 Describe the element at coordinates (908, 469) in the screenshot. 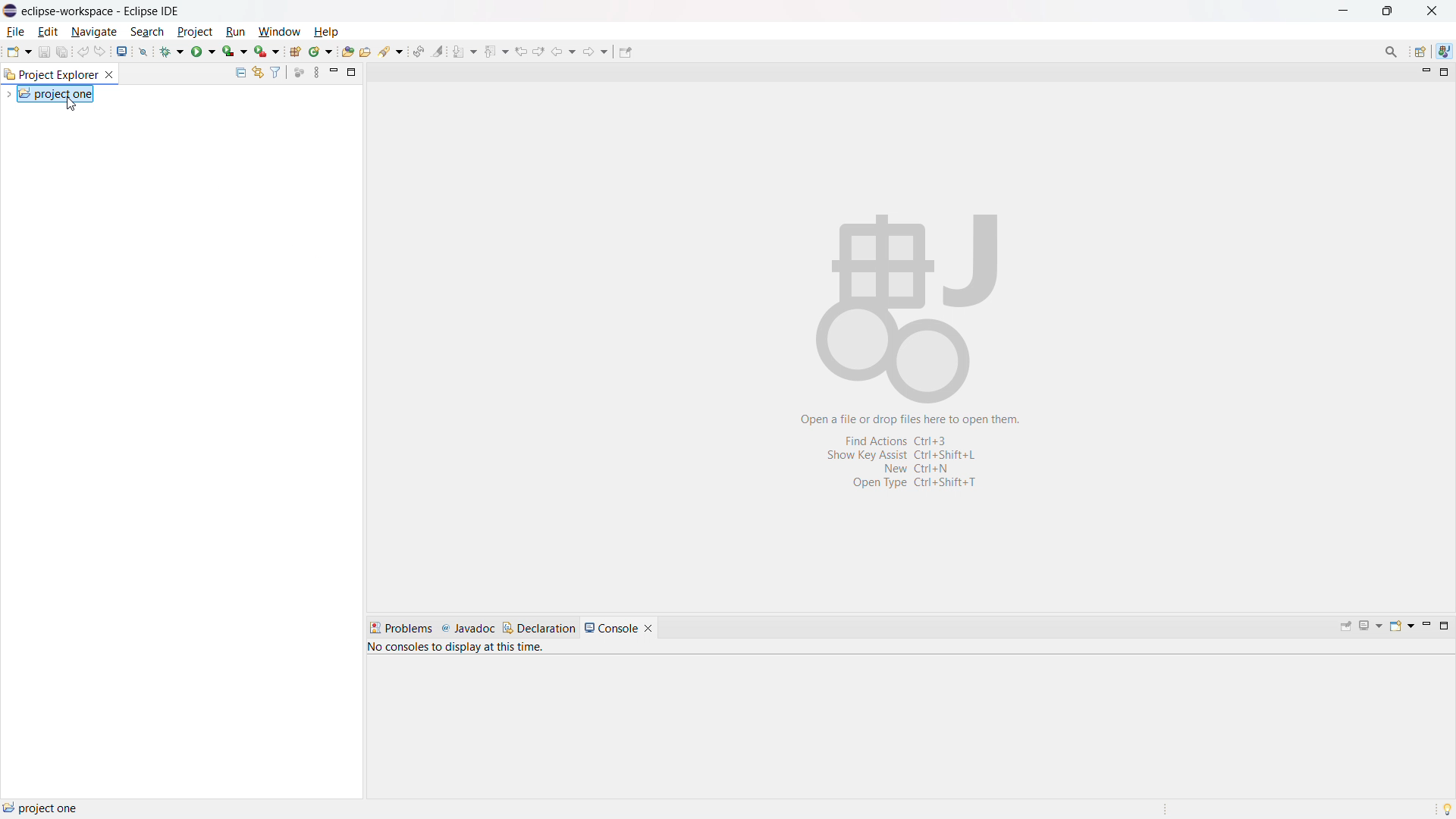

I see `new ctrl+N` at that location.